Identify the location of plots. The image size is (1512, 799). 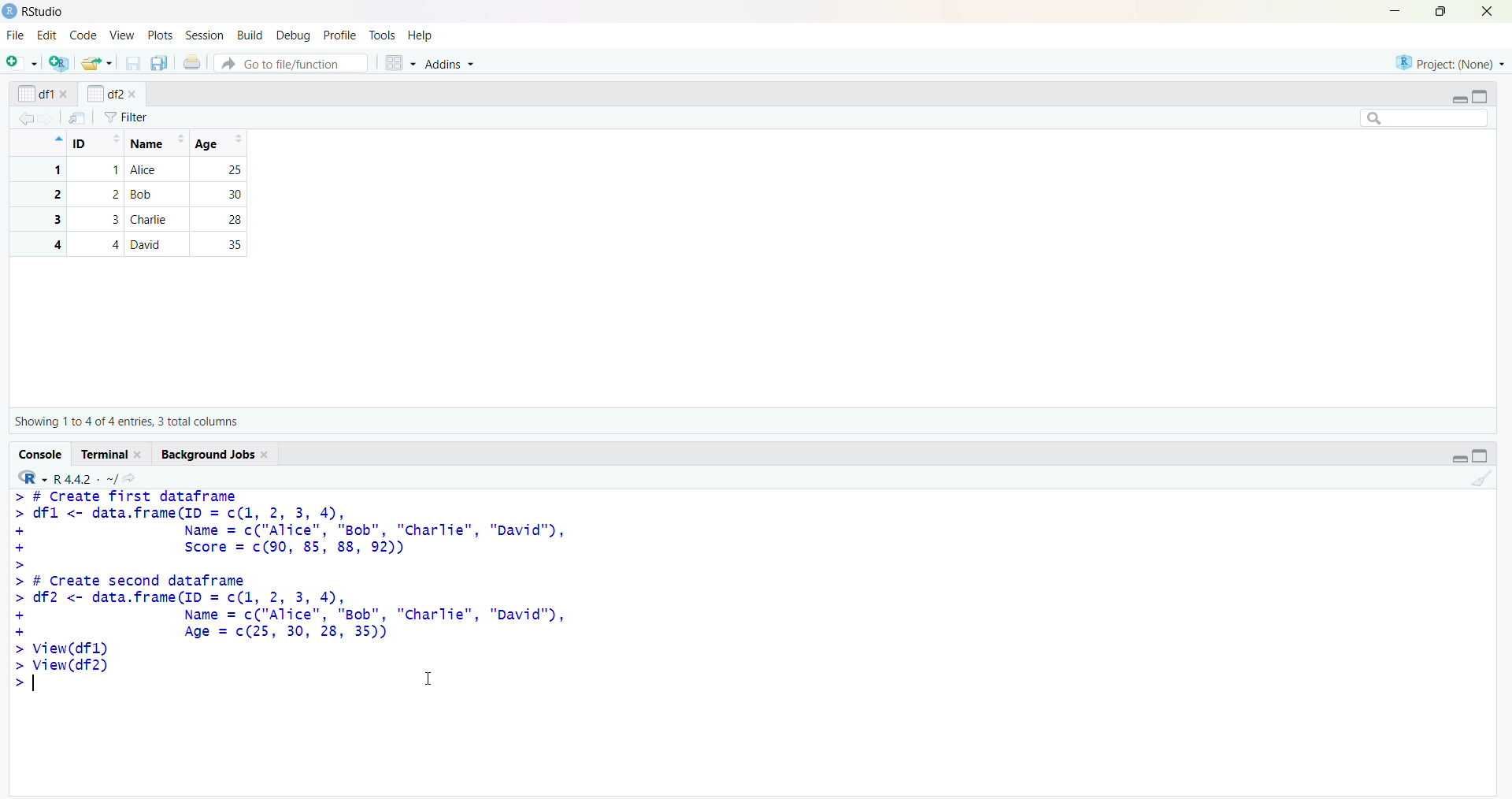
(162, 36).